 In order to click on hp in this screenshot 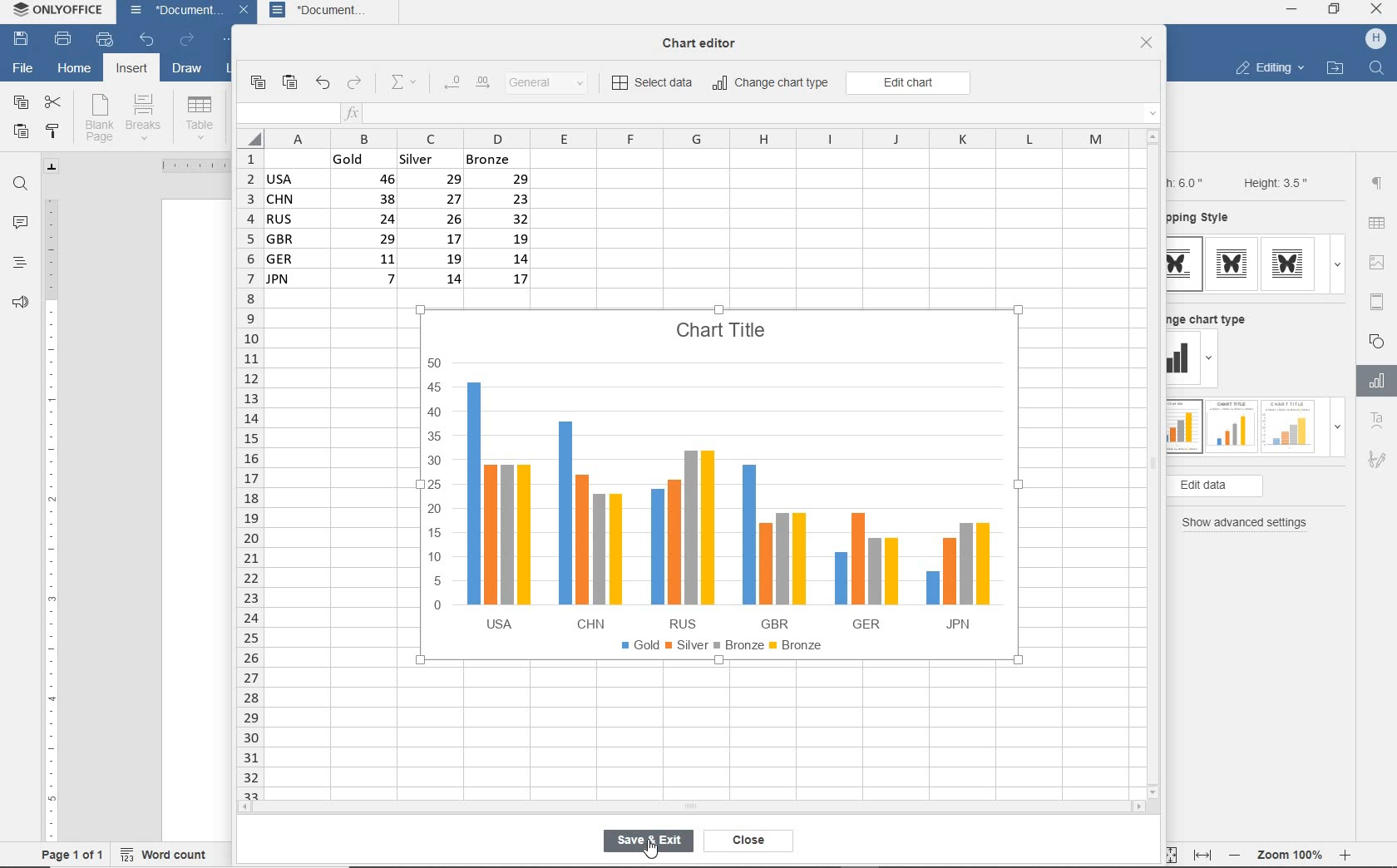, I will do `click(1376, 39)`.